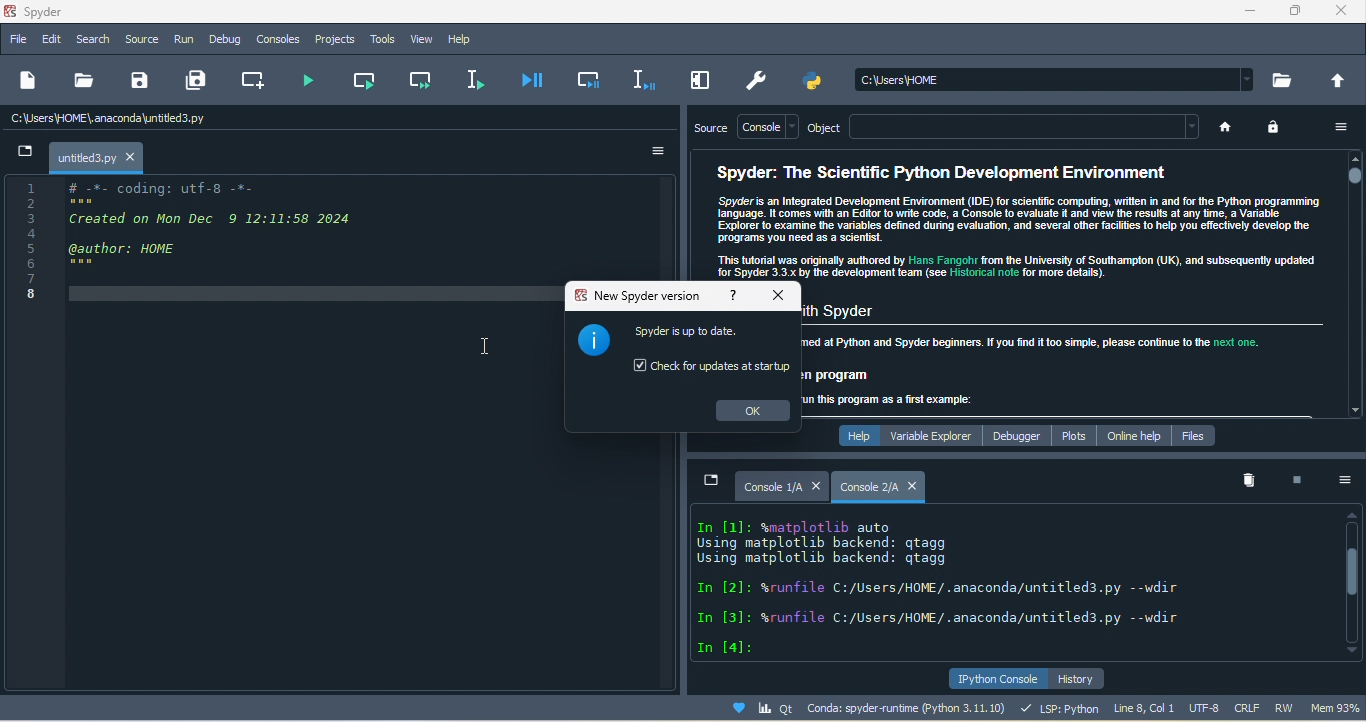  I want to click on text, so click(976, 583).